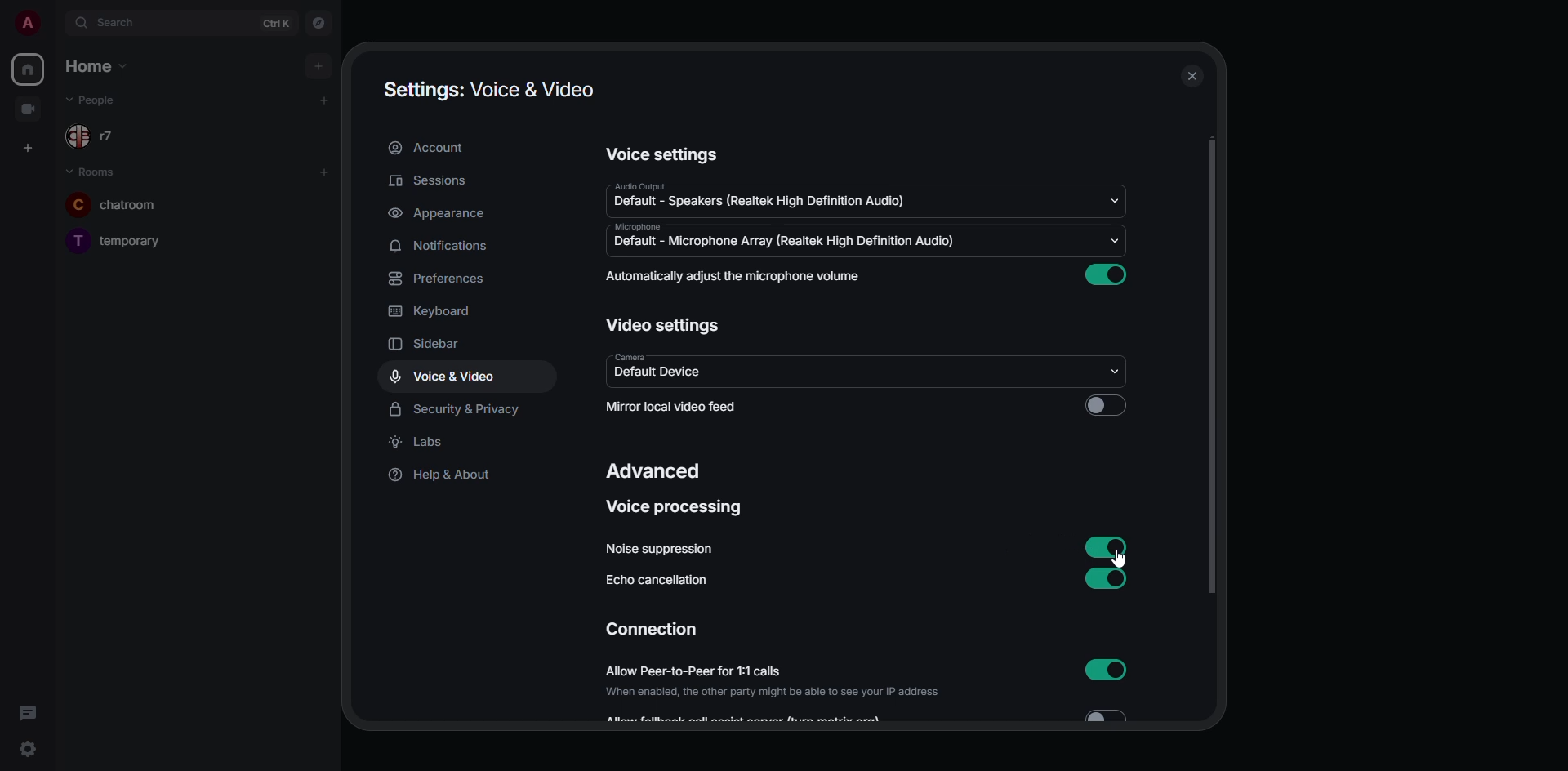 The width and height of the screenshot is (1568, 771). What do you see at coordinates (317, 64) in the screenshot?
I see `add` at bounding box center [317, 64].